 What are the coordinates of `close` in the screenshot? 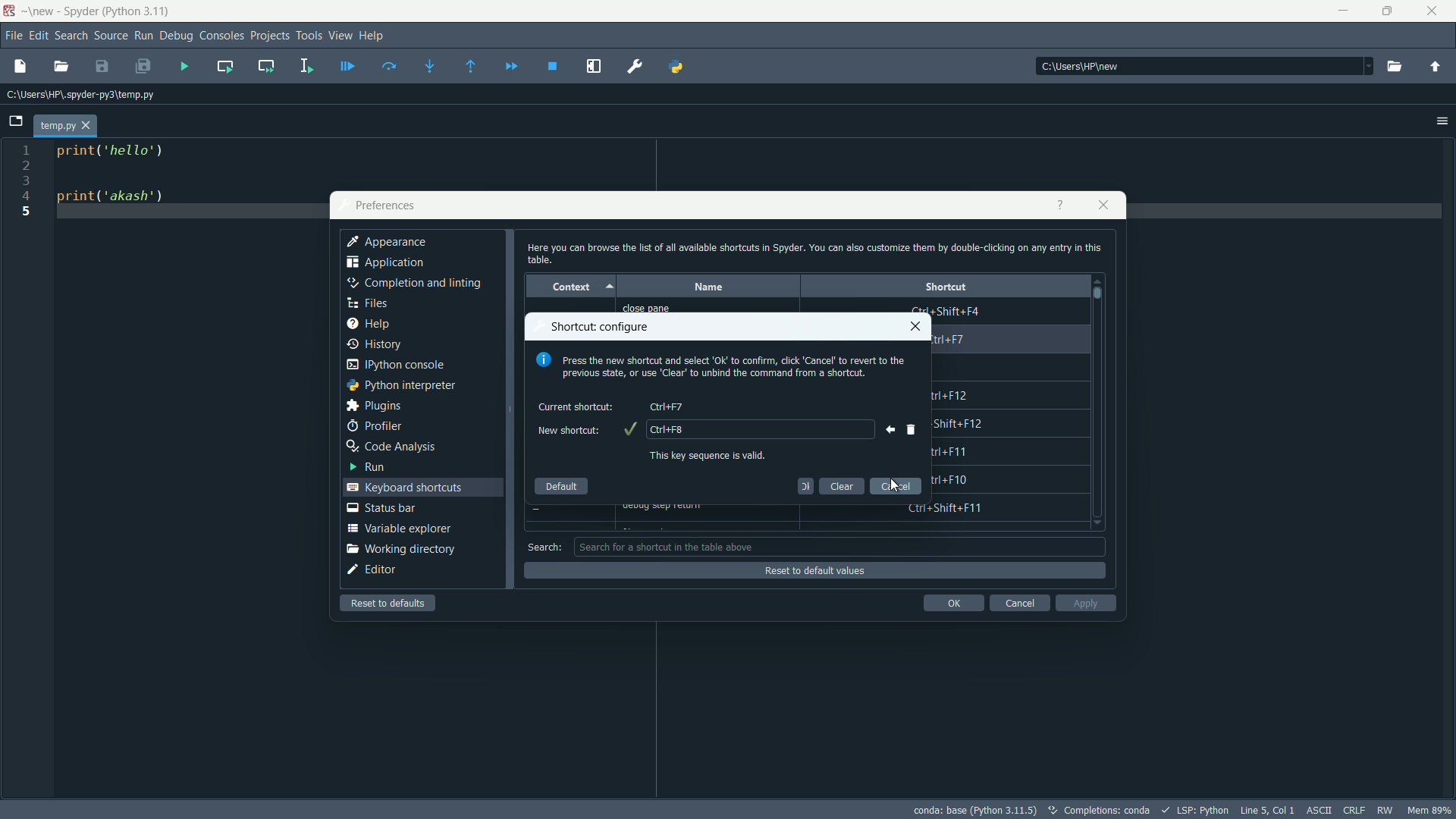 It's located at (915, 326).